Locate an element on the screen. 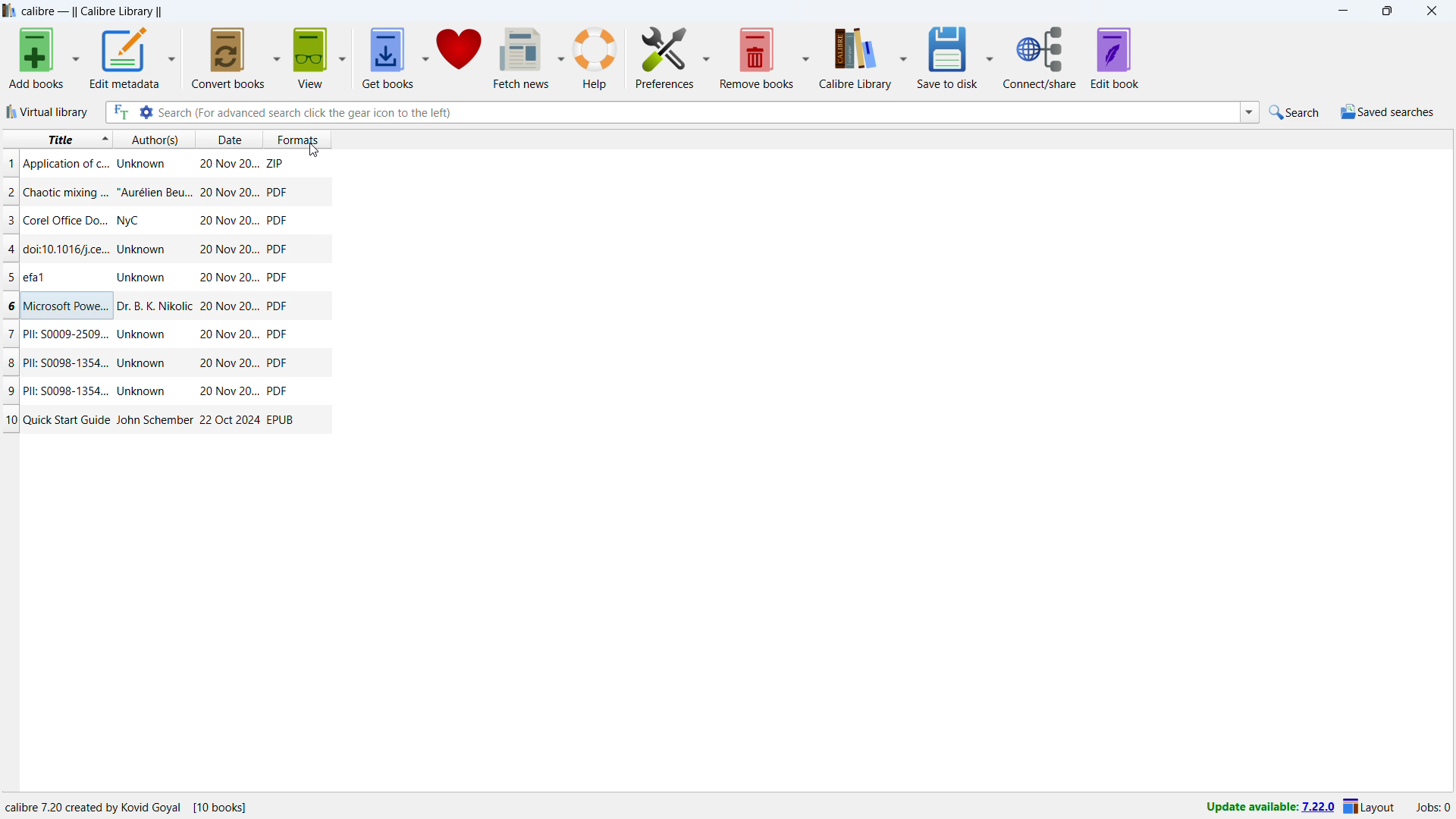 The height and width of the screenshot is (819, 1456). date is located at coordinates (230, 334).